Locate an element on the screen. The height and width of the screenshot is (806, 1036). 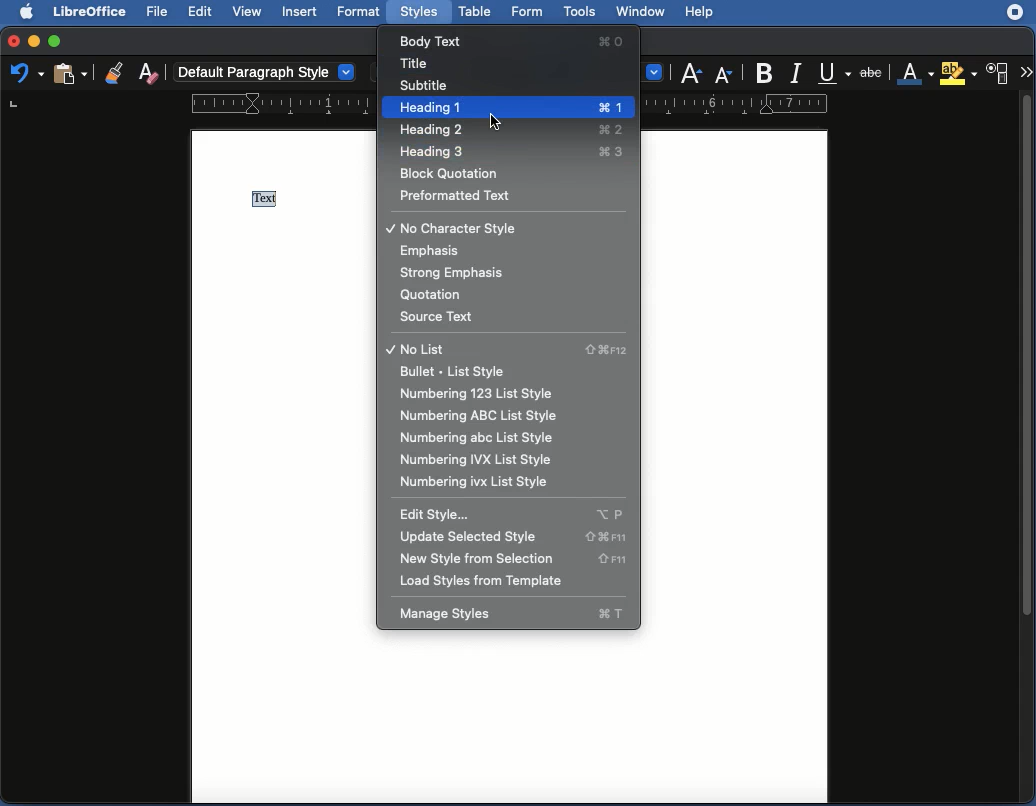
Insert is located at coordinates (301, 12).